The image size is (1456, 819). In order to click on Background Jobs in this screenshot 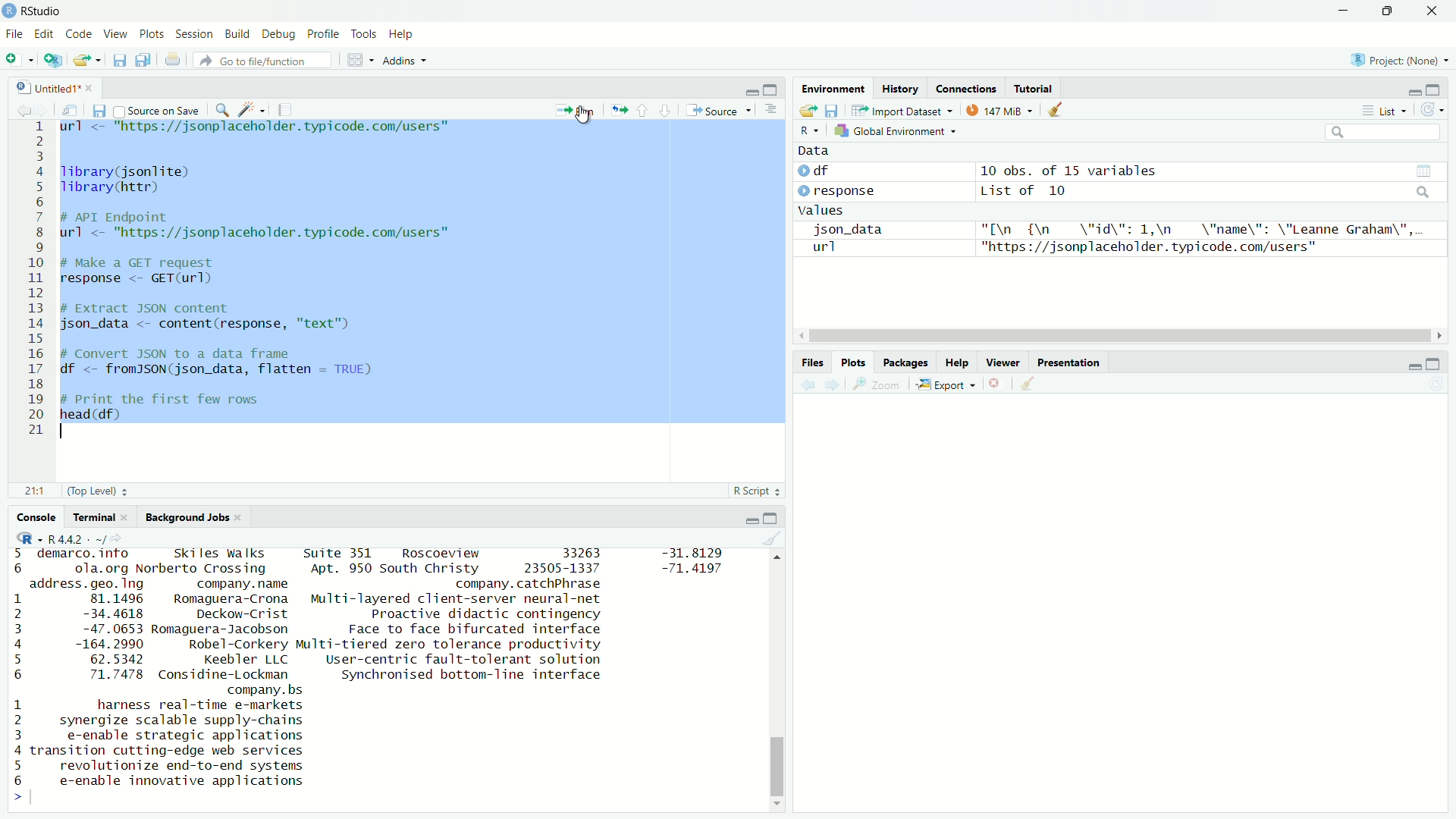, I will do `click(193, 517)`.